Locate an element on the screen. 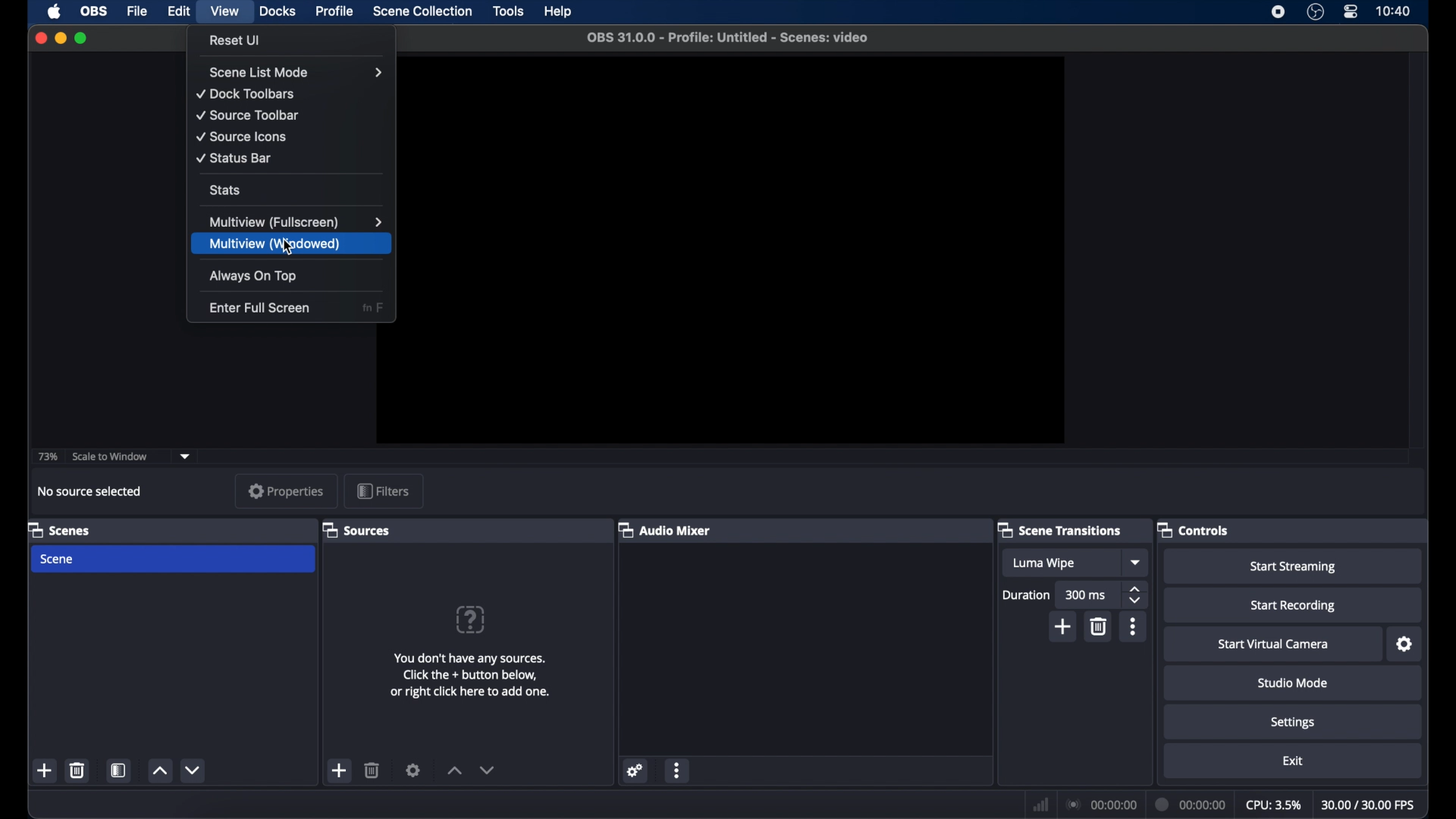 Image resolution: width=1456 pixels, height=819 pixels. OBS 31.0.0 - Profile: Untitled - Scenes: video is located at coordinates (728, 39).